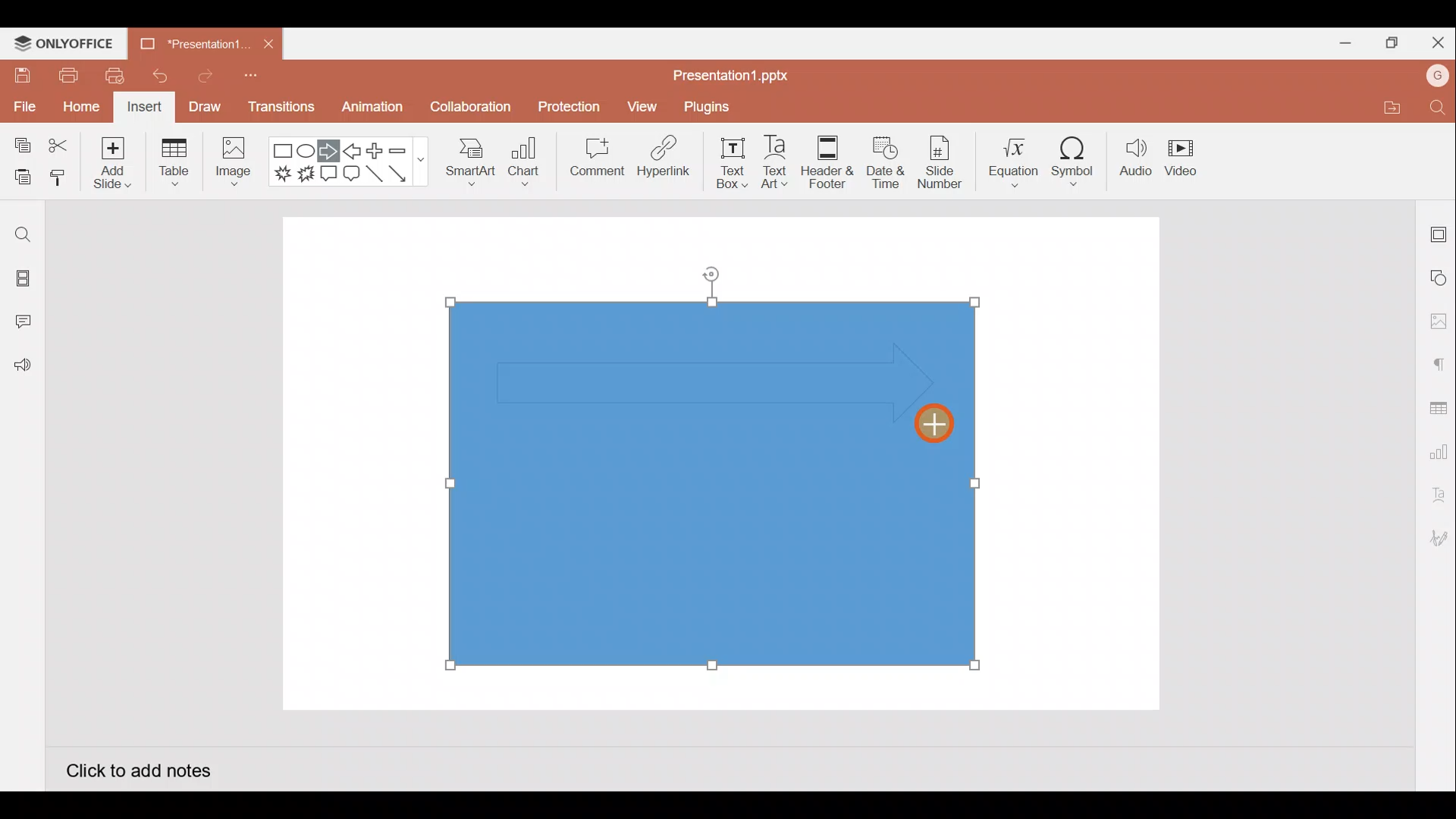  I want to click on Video, so click(1183, 155).